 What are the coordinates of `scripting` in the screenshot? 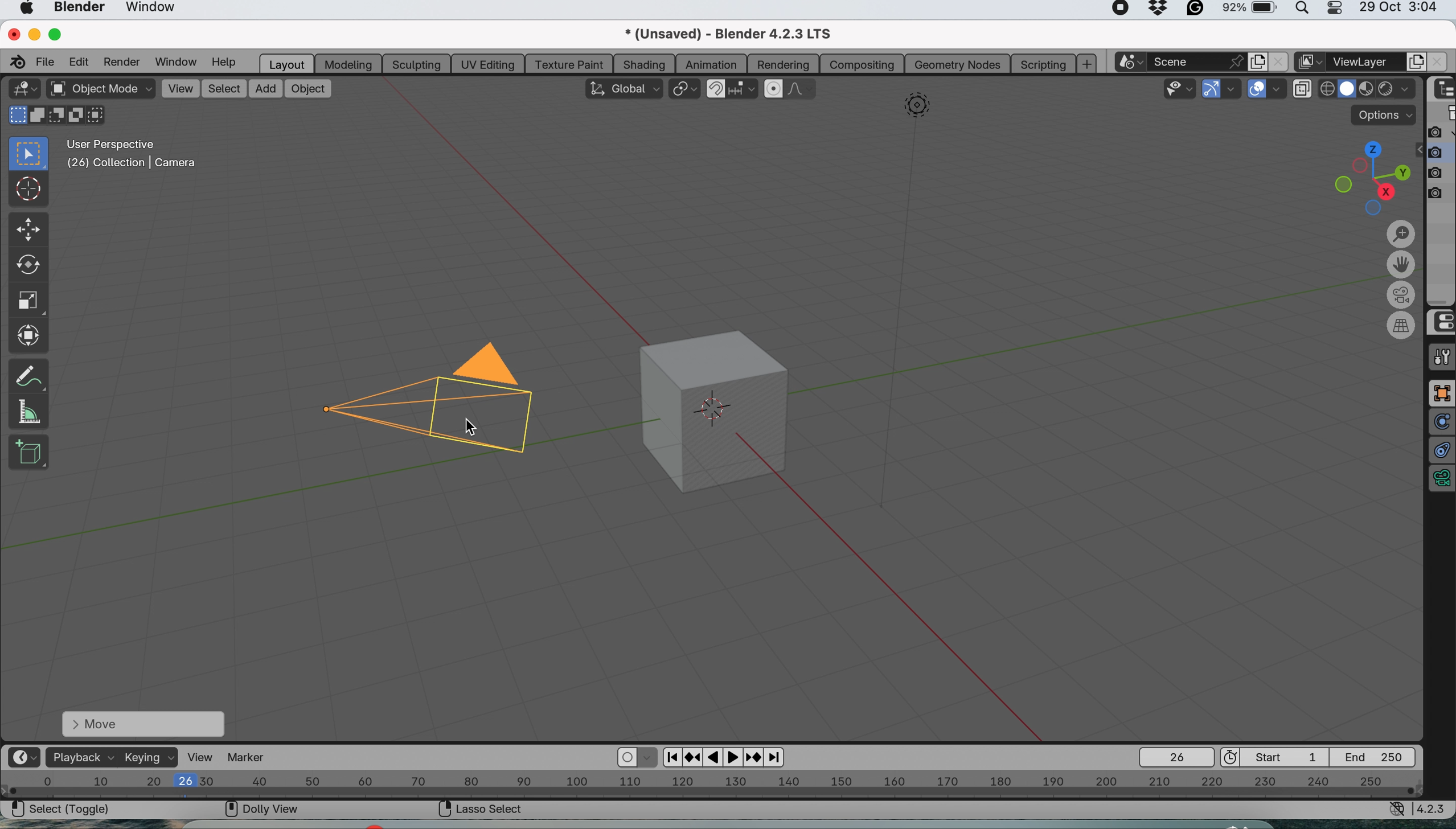 It's located at (1041, 63).